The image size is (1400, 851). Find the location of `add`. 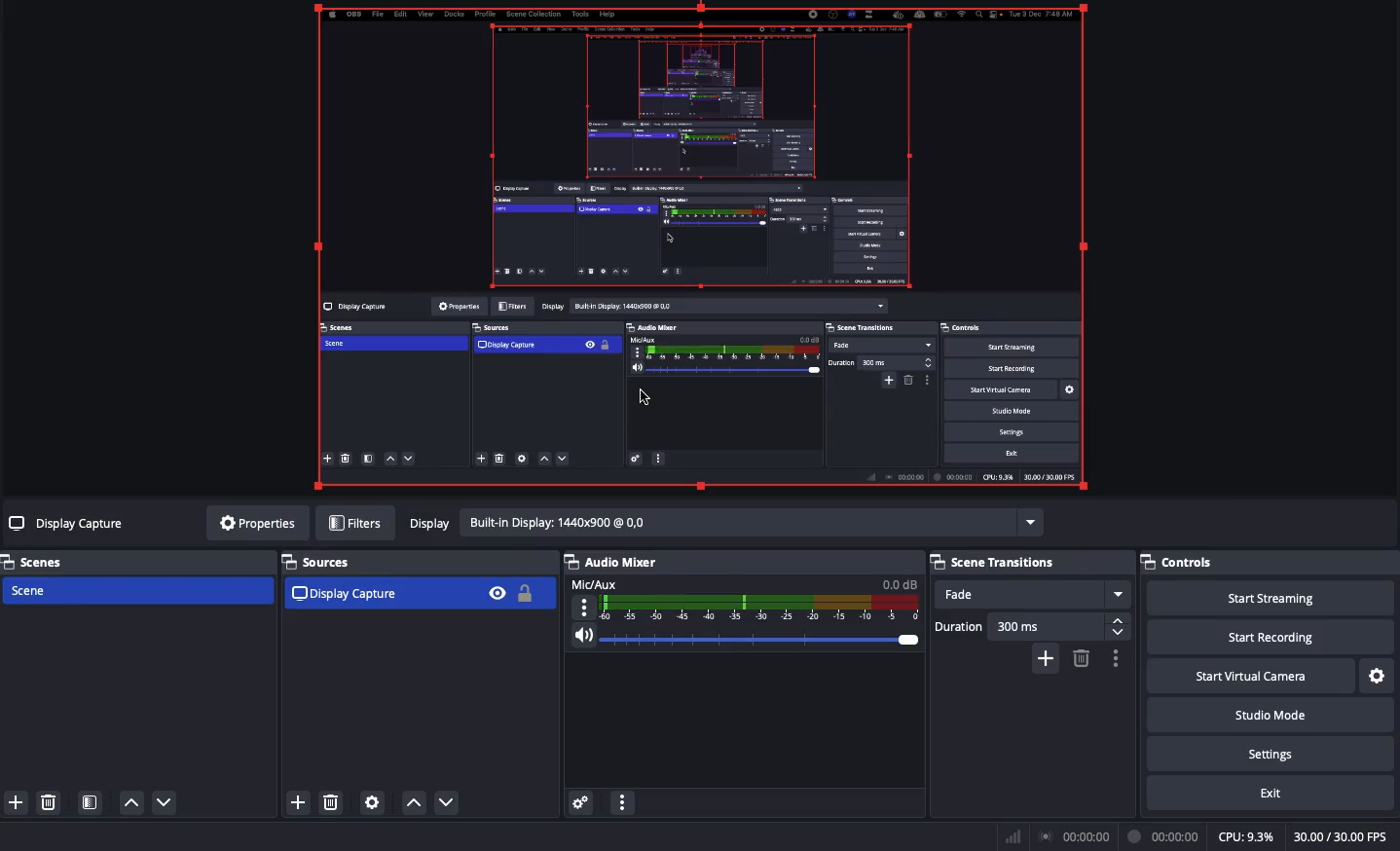

add is located at coordinates (297, 806).